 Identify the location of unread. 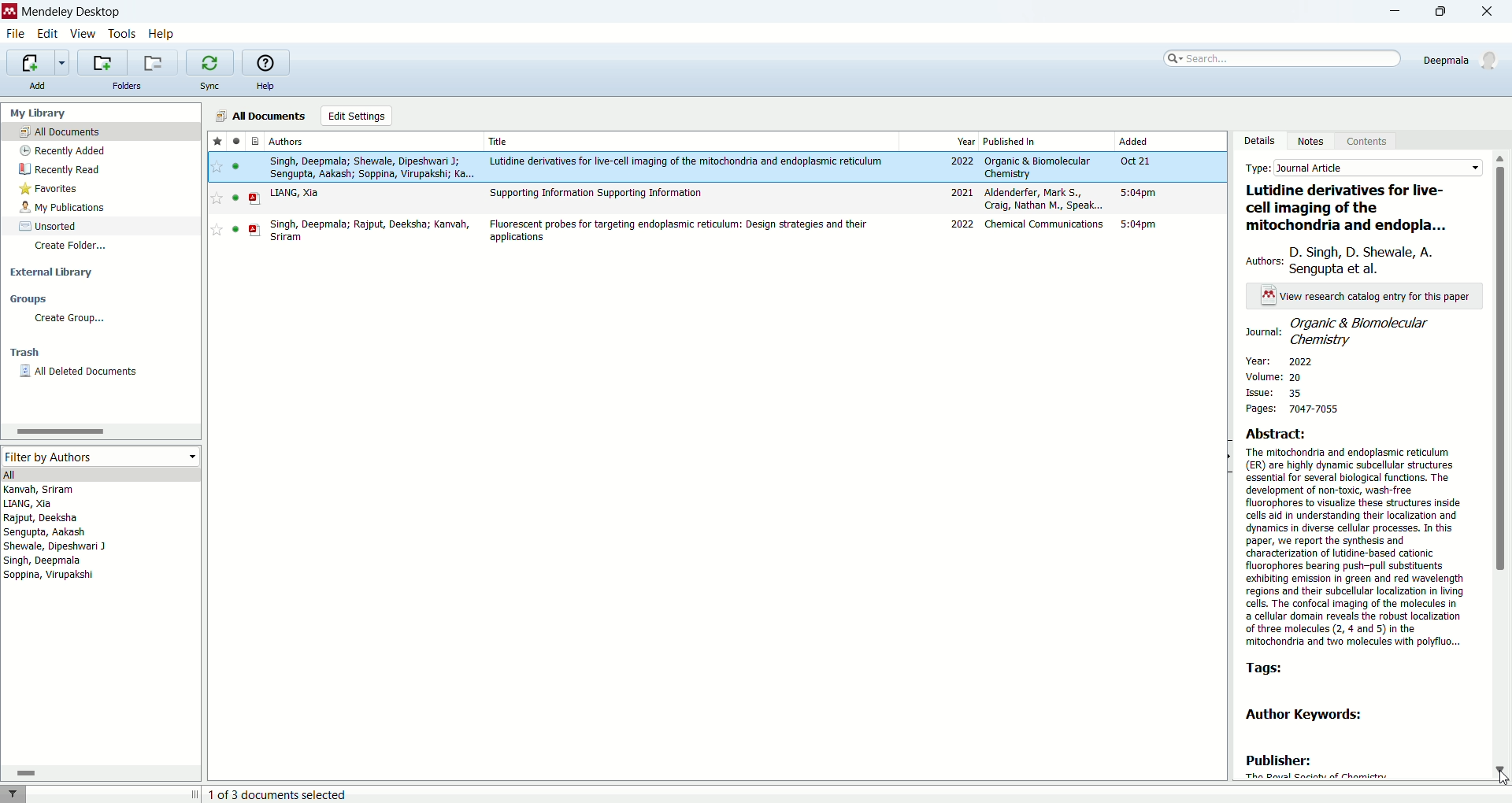
(235, 198).